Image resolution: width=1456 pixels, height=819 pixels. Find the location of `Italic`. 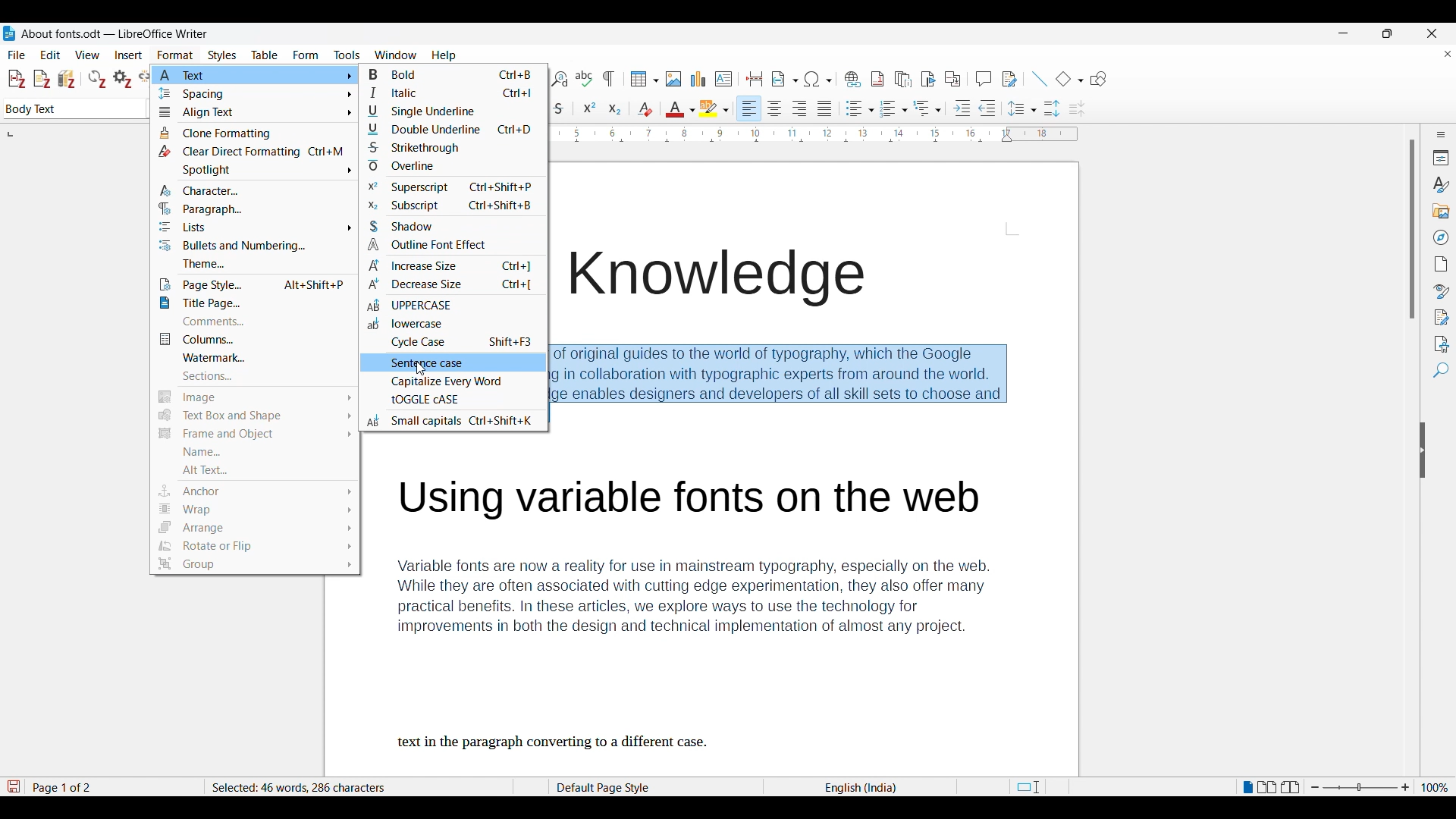

Italic is located at coordinates (450, 93).